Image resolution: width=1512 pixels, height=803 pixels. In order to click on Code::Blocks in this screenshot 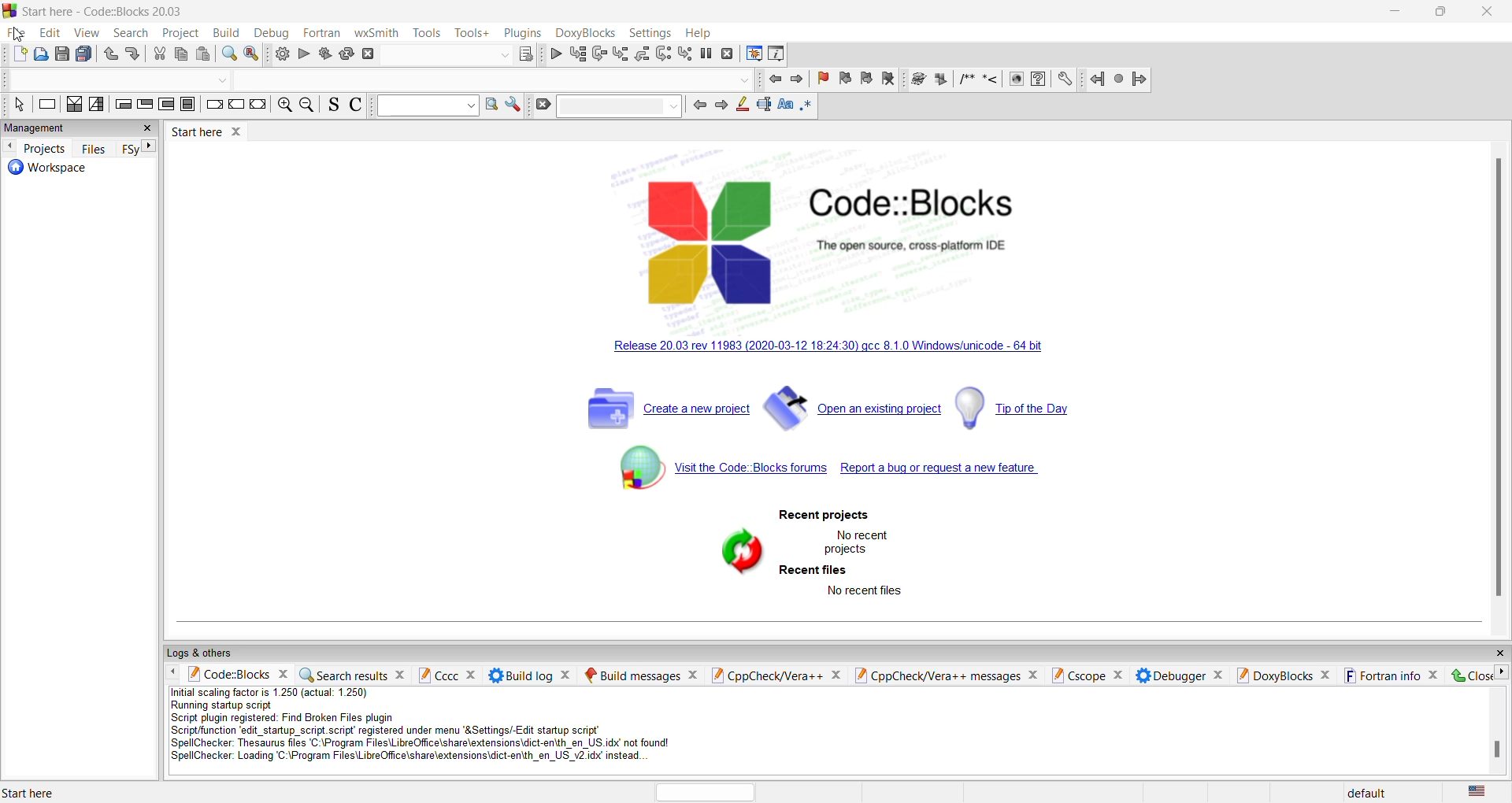, I will do `click(915, 202)`.